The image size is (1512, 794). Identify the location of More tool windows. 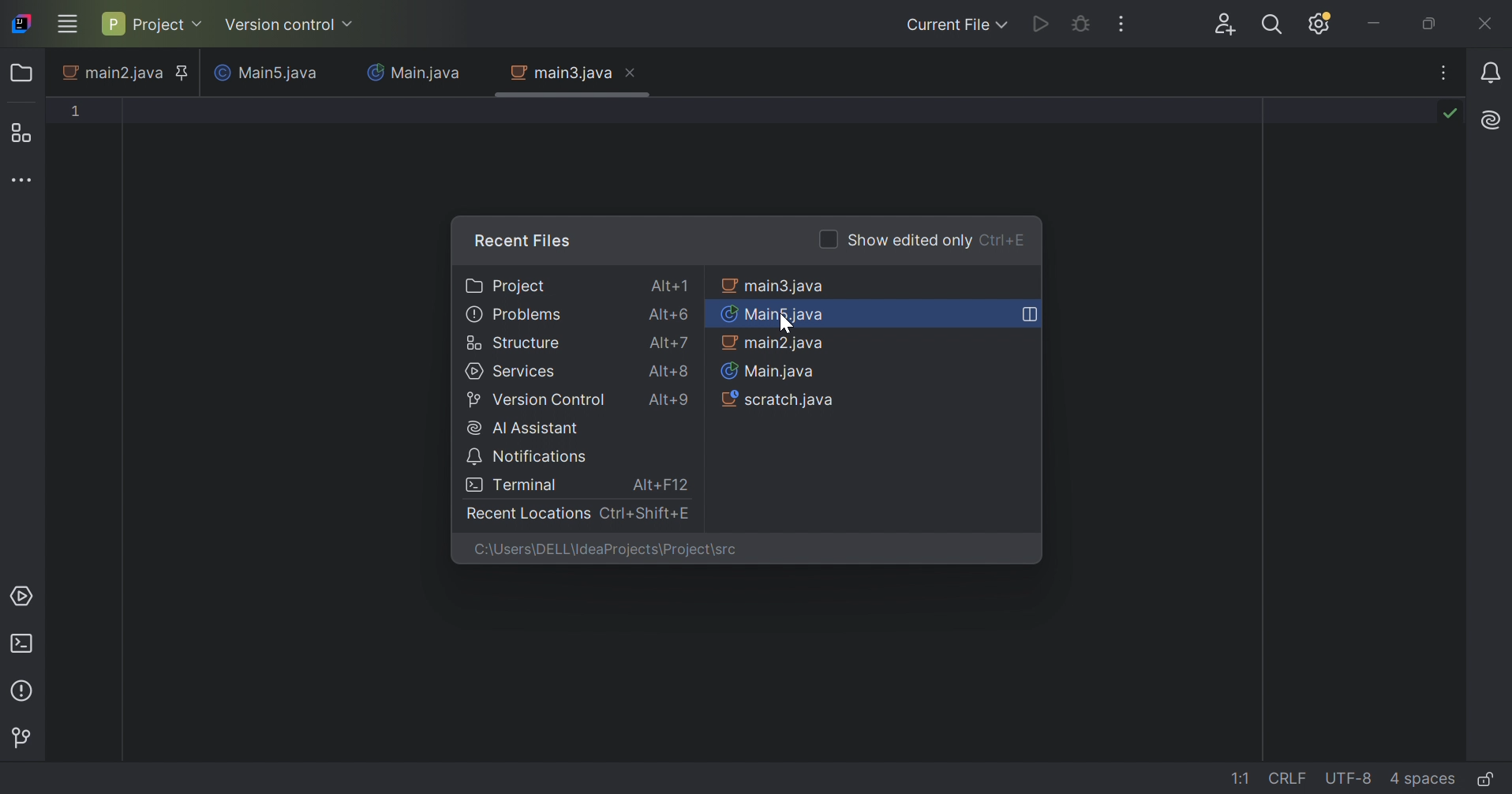
(24, 179).